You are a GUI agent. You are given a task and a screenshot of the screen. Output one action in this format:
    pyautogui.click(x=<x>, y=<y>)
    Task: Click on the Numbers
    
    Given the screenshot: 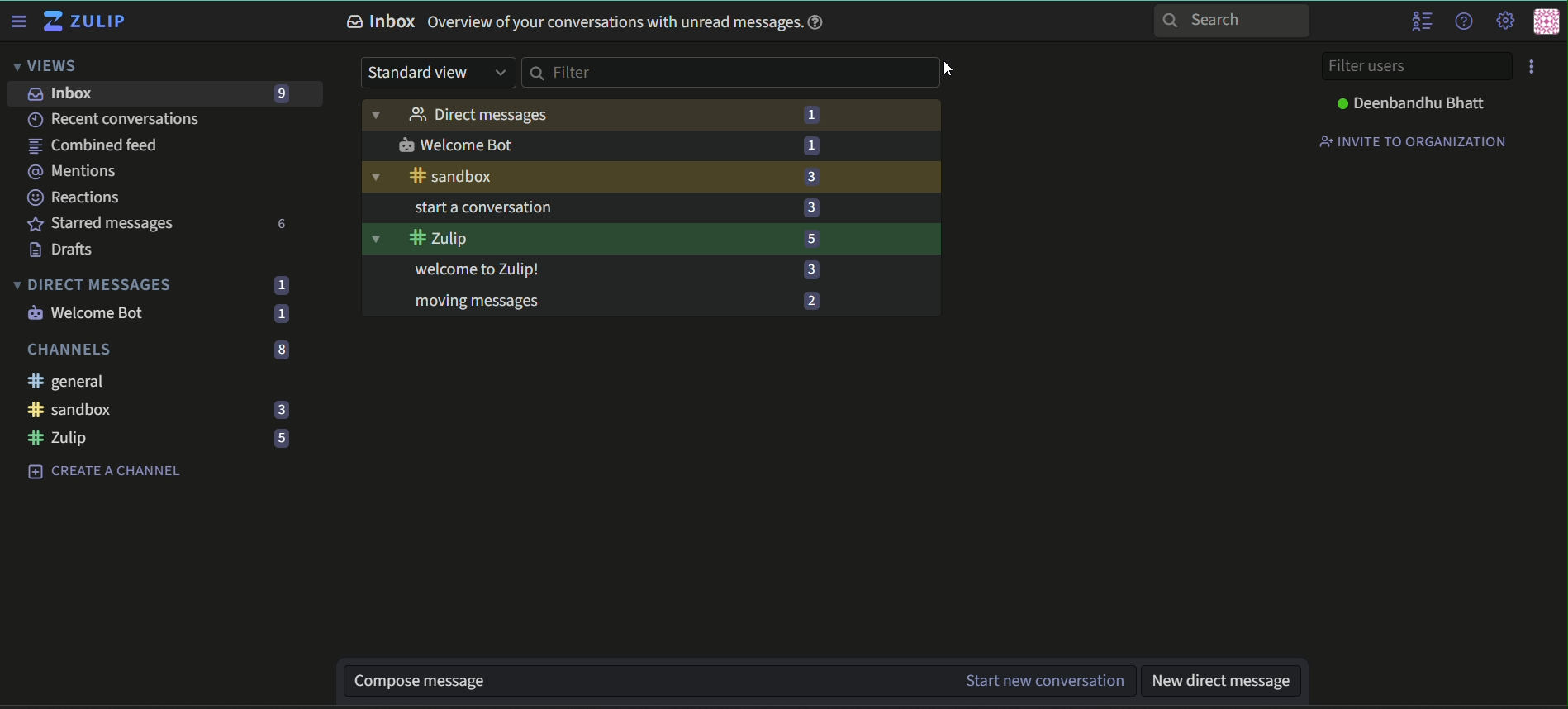 What is the action you would take?
    pyautogui.click(x=278, y=439)
    